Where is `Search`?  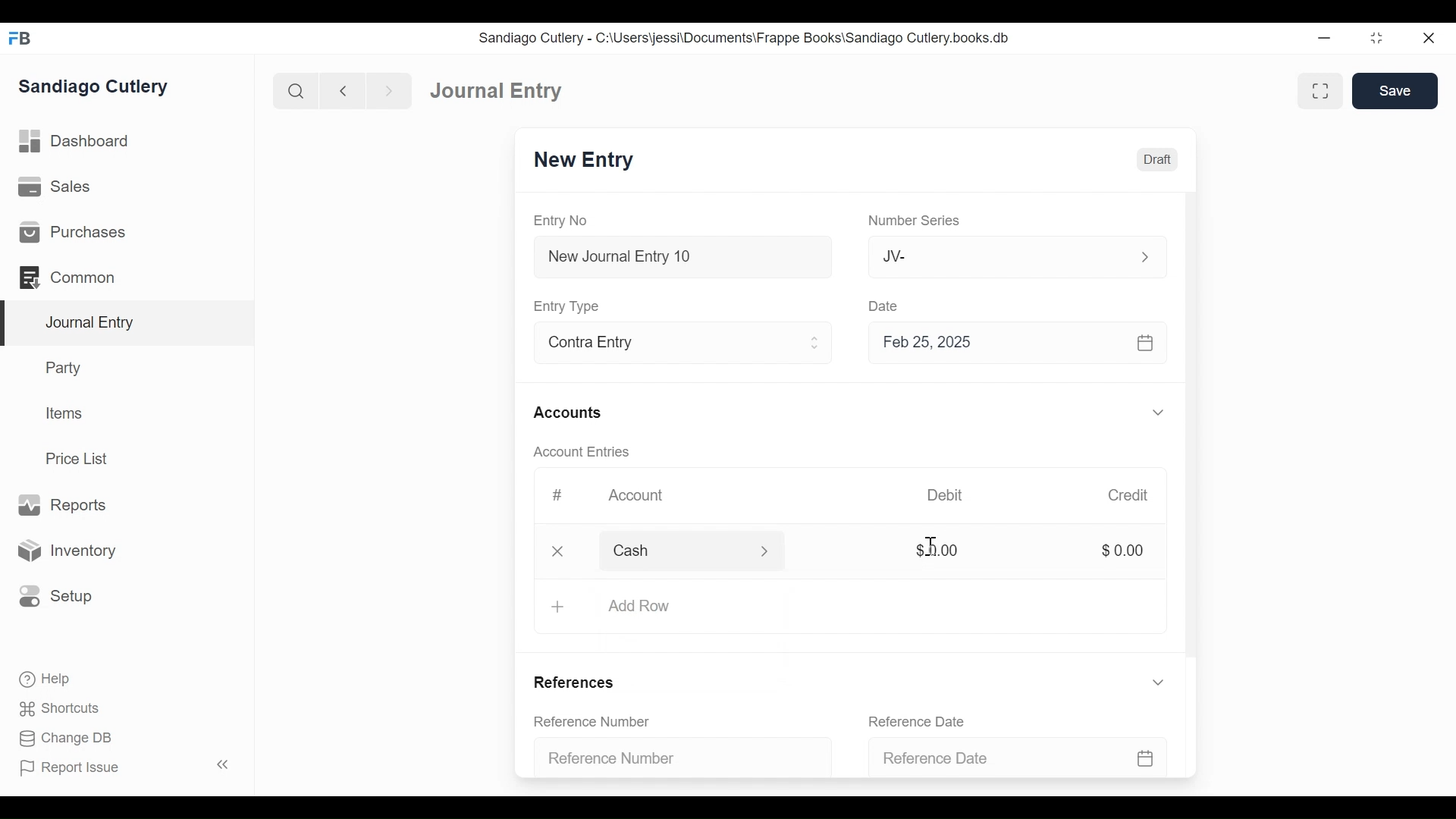
Search is located at coordinates (297, 90).